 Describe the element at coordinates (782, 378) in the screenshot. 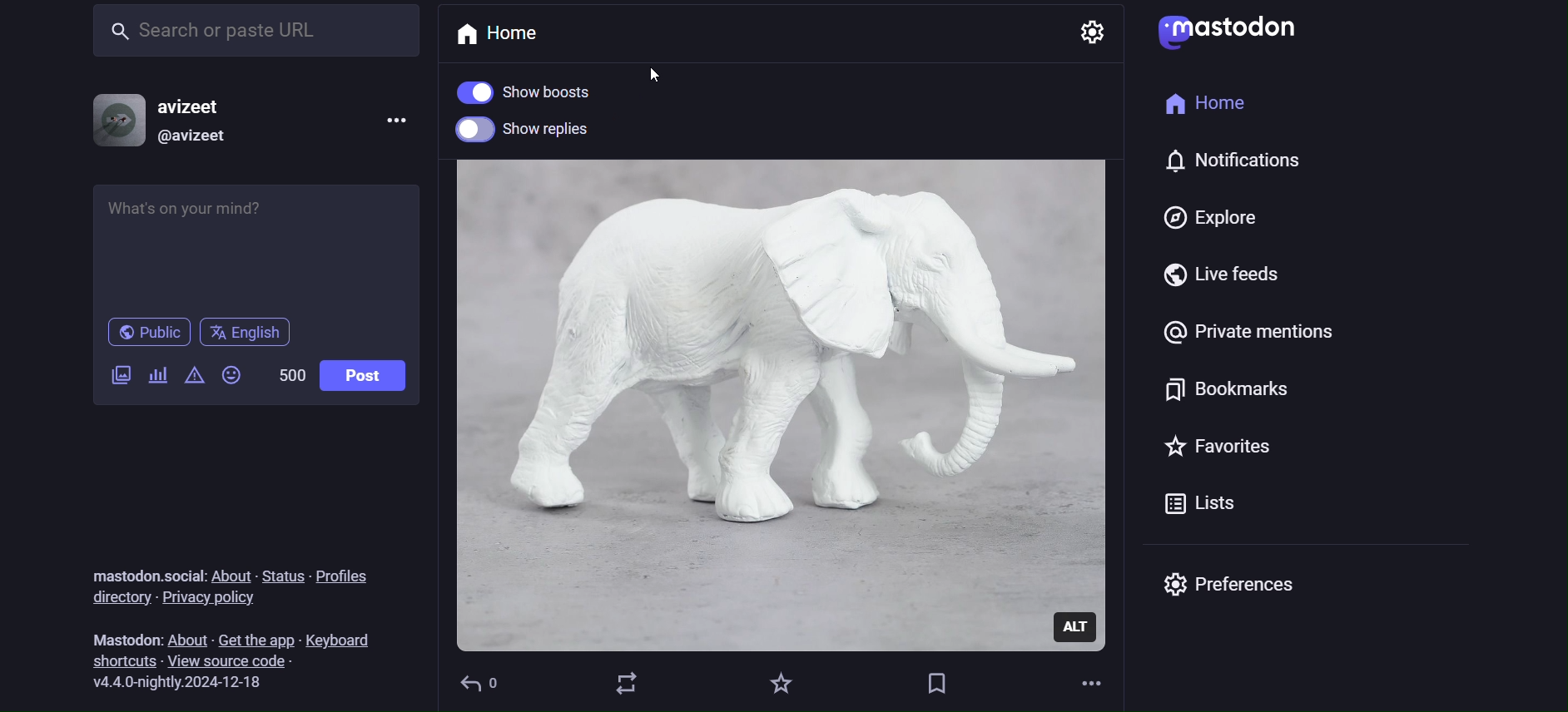

I see `post picture` at that location.